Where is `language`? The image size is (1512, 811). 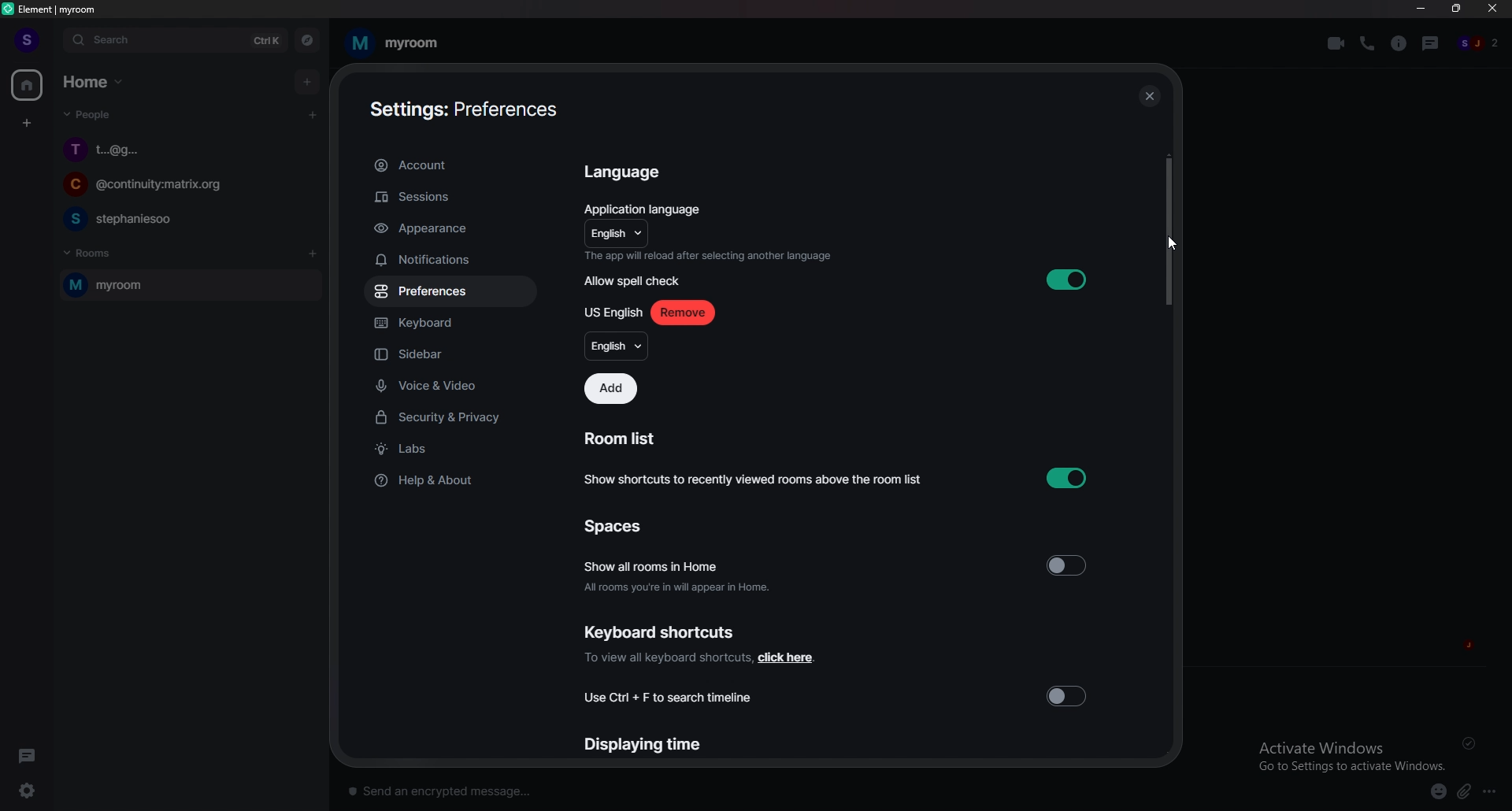 language is located at coordinates (615, 346).